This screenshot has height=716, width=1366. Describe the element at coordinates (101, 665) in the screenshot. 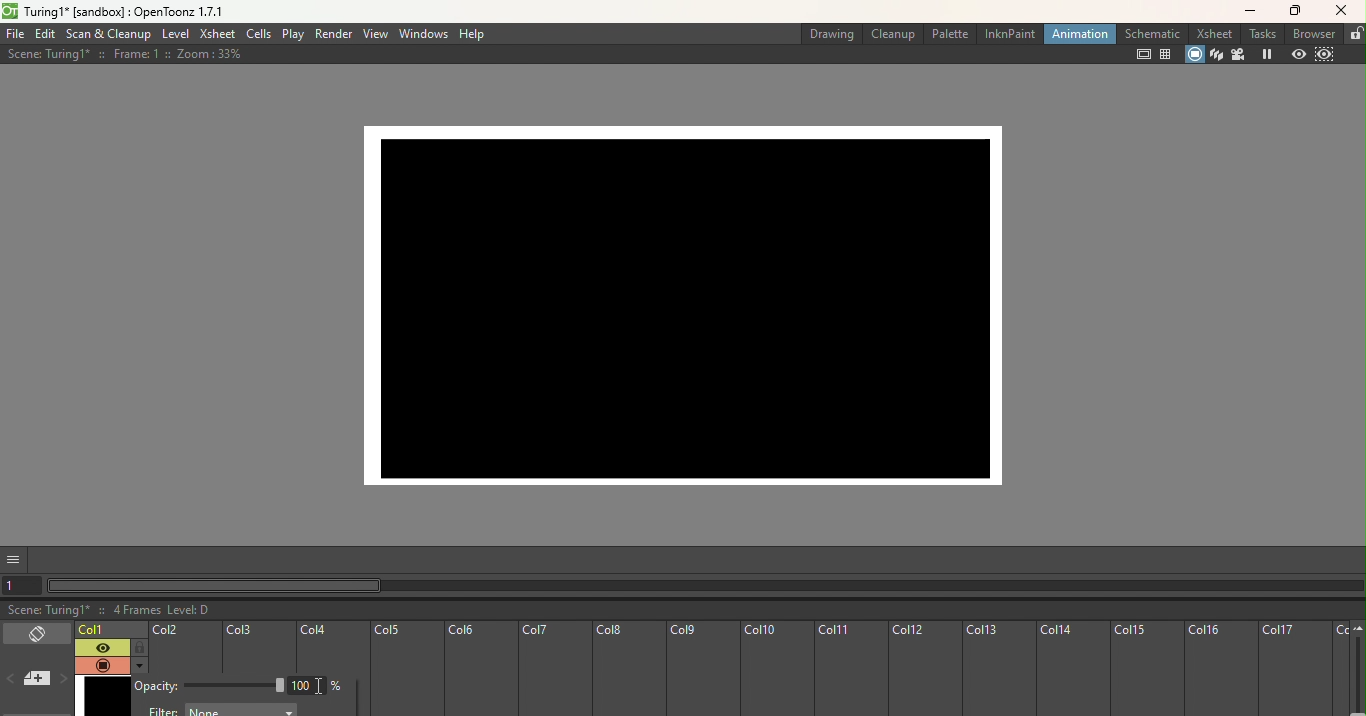

I see `Camera stand visibility toggle` at that location.